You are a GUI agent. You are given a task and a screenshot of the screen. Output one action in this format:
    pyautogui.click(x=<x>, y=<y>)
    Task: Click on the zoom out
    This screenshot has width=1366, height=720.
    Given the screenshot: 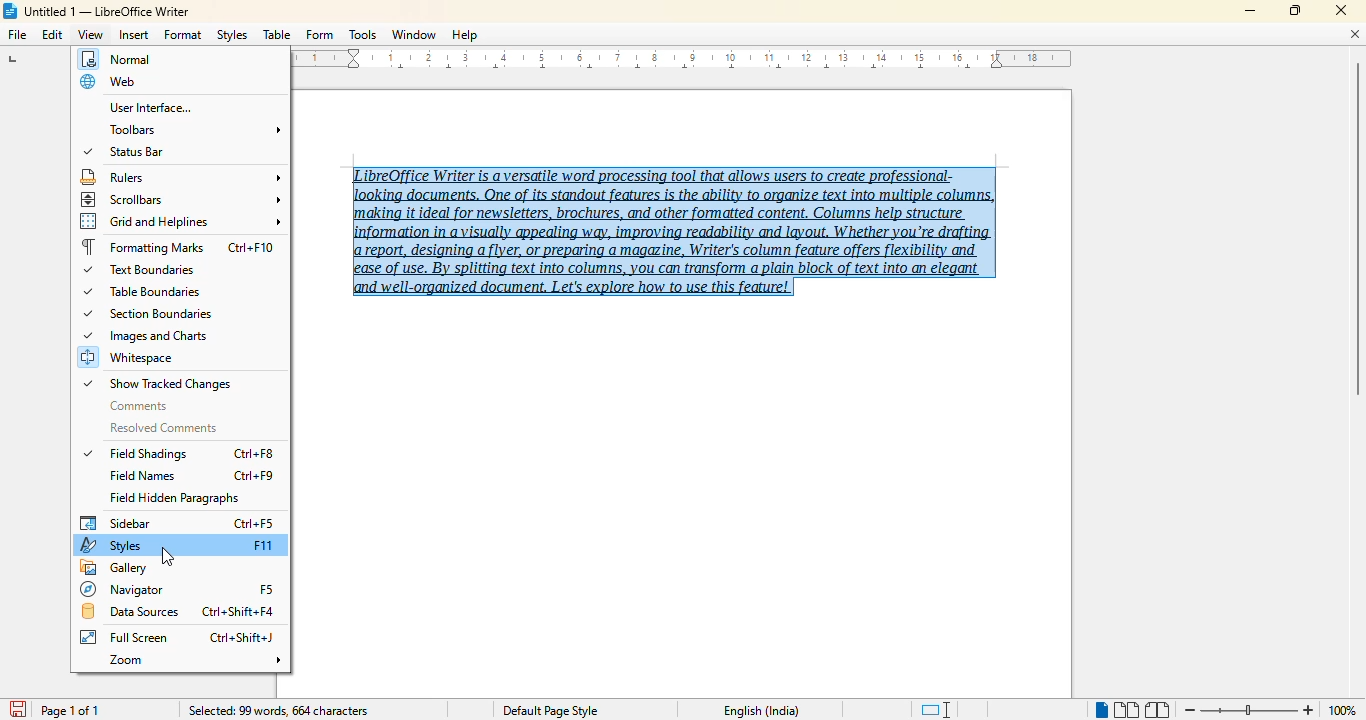 What is the action you would take?
    pyautogui.click(x=1188, y=709)
    